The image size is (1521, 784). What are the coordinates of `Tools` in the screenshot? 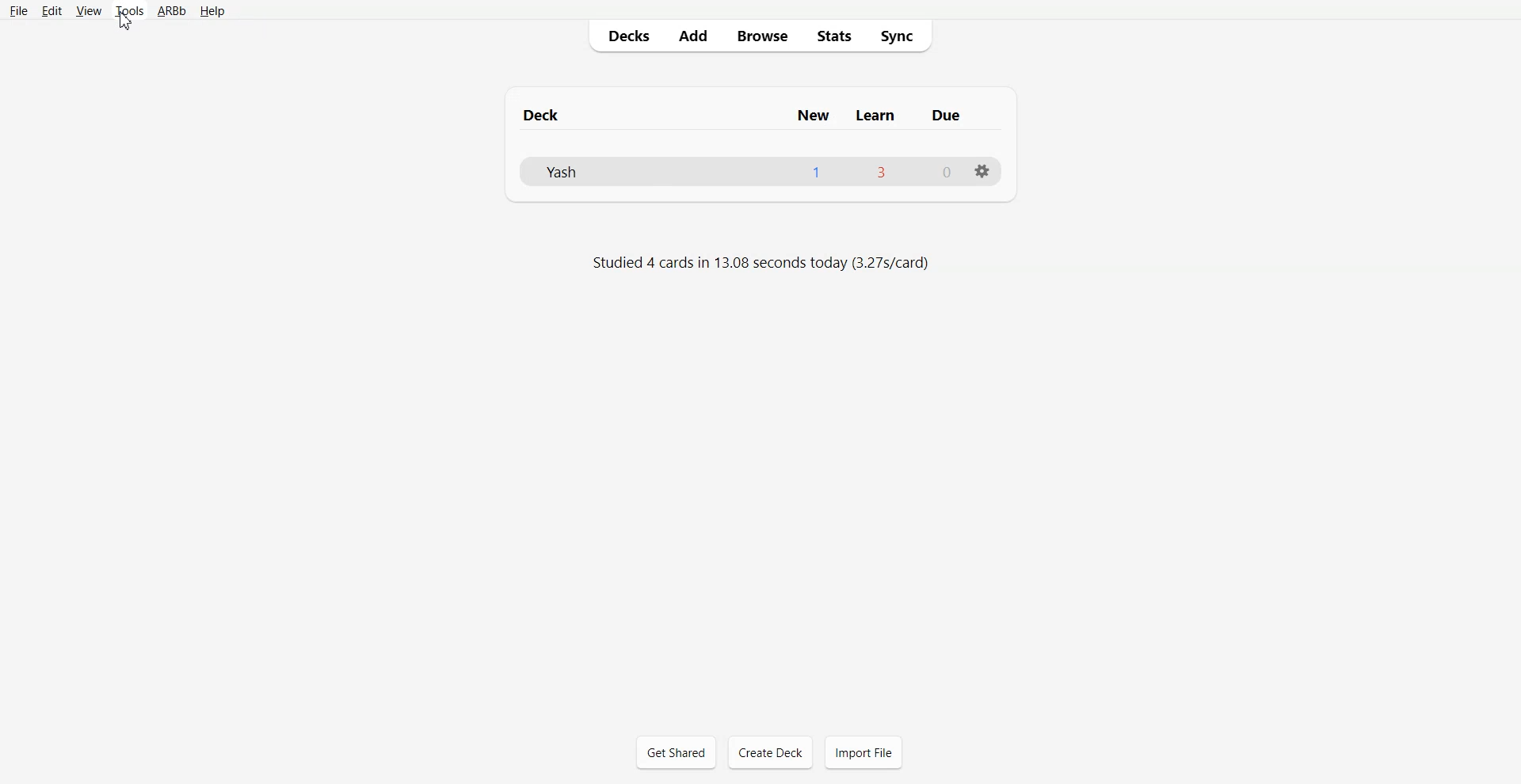 It's located at (129, 11).